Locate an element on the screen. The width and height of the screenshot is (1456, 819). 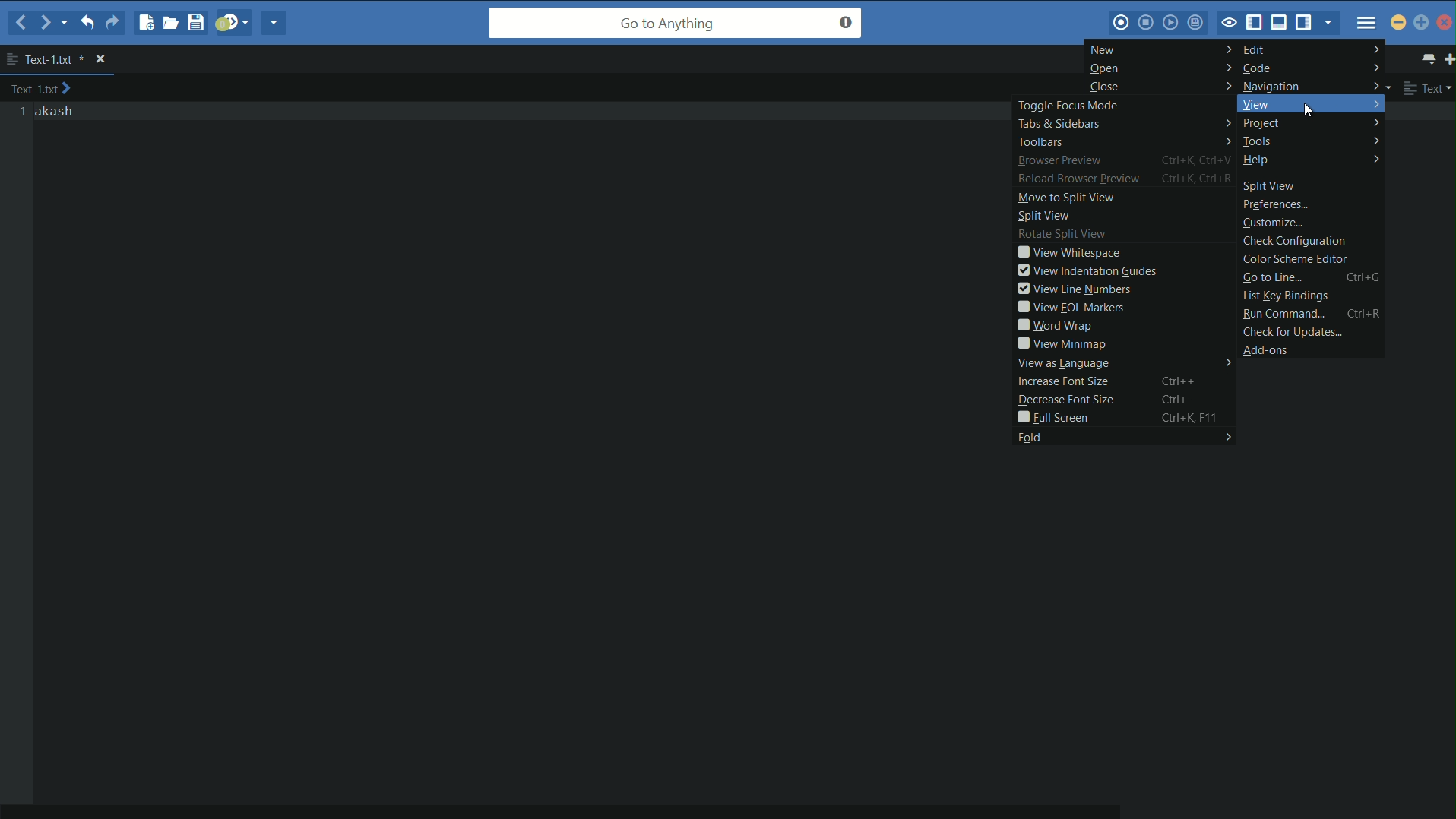
full screen is located at coordinates (1125, 417).